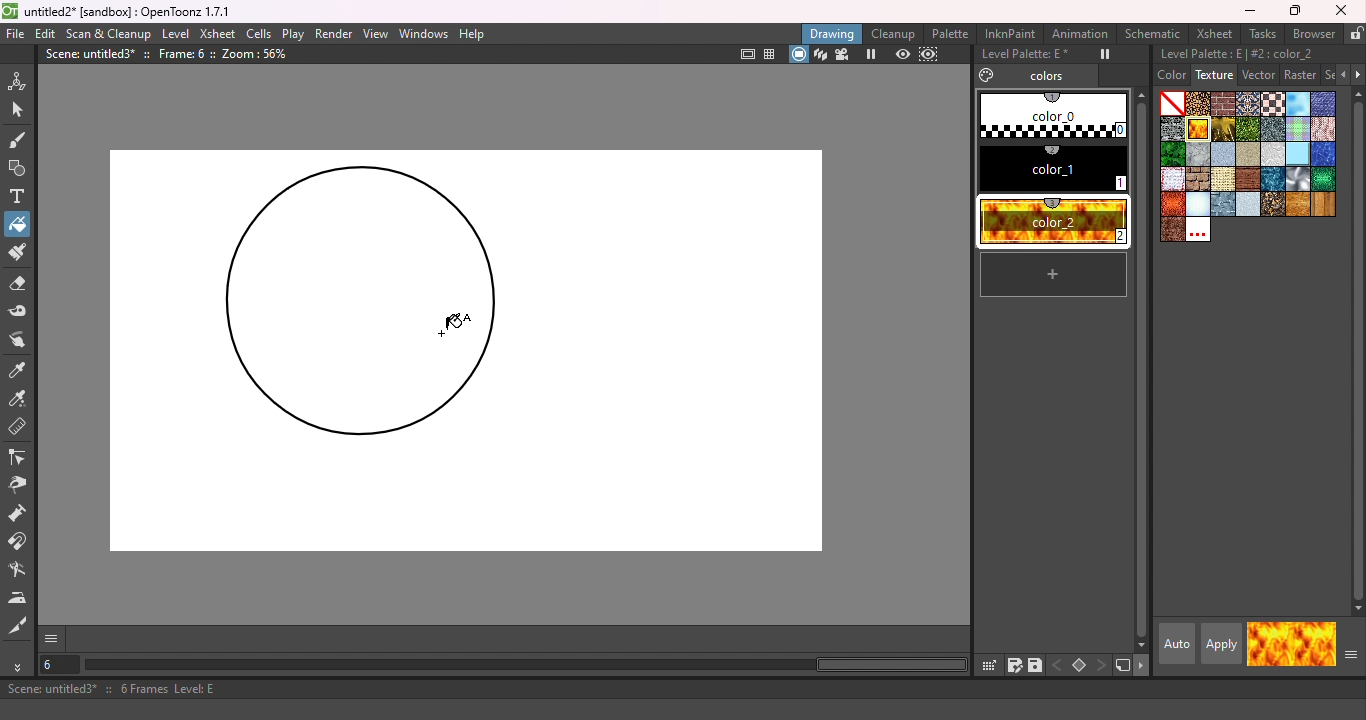 Image resolution: width=1366 pixels, height=720 pixels. Describe the element at coordinates (21, 339) in the screenshot. I see `Finger tool` at that location.